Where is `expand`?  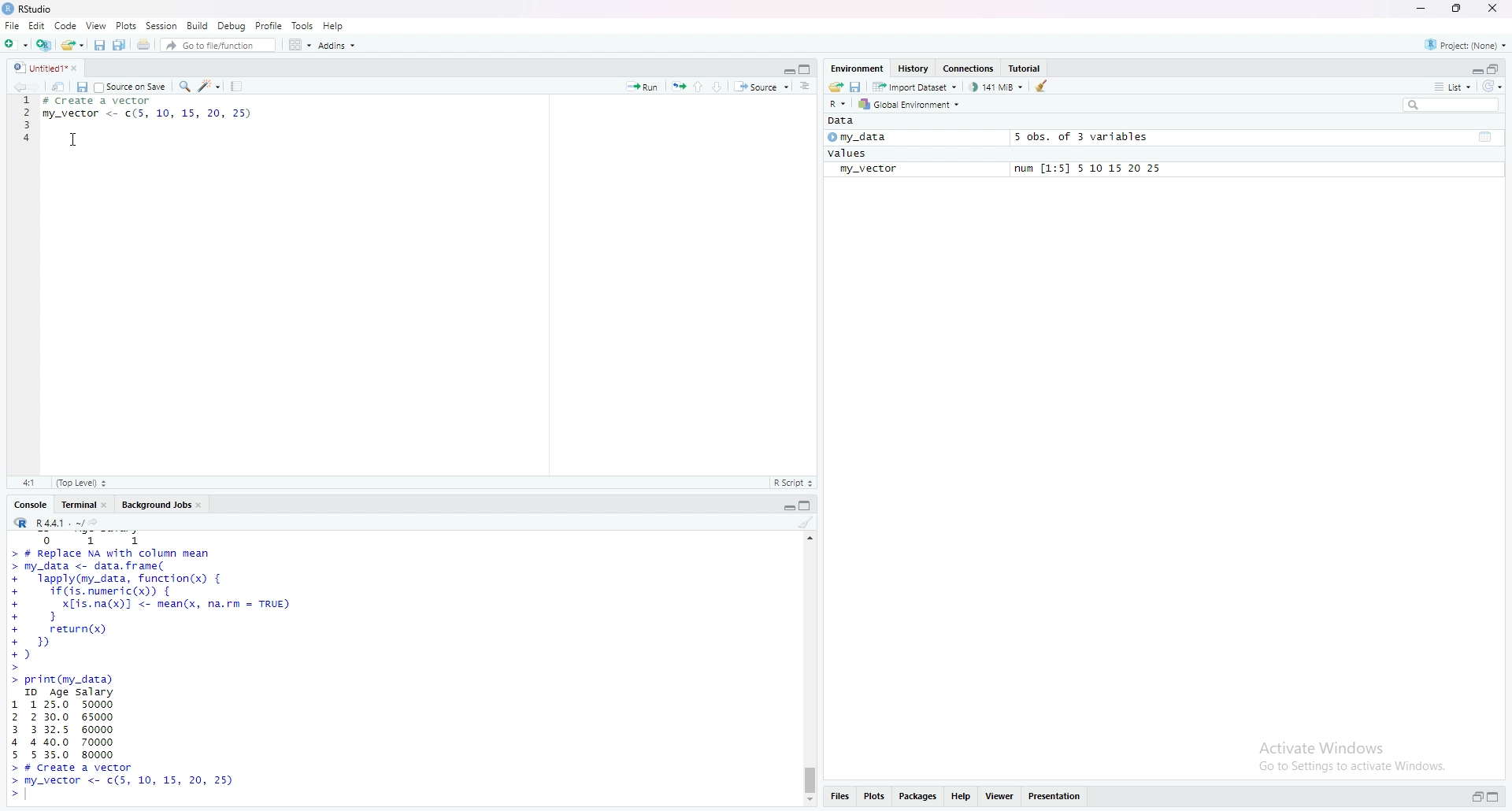
expand is located at coordinates (1475, 69).